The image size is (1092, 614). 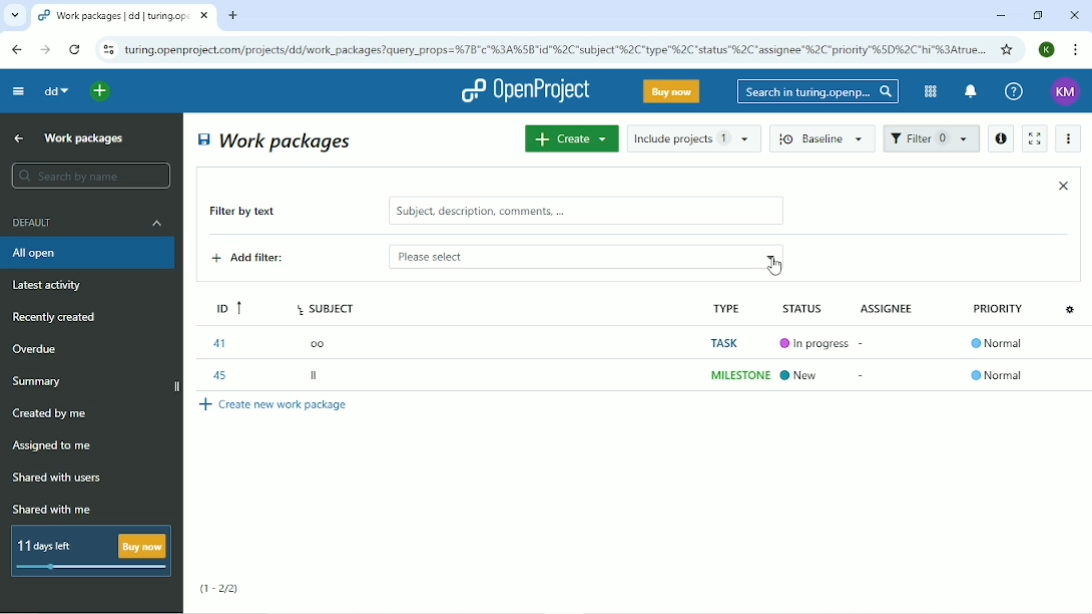 I want to click on Recently created, so click(x=58, y=317).